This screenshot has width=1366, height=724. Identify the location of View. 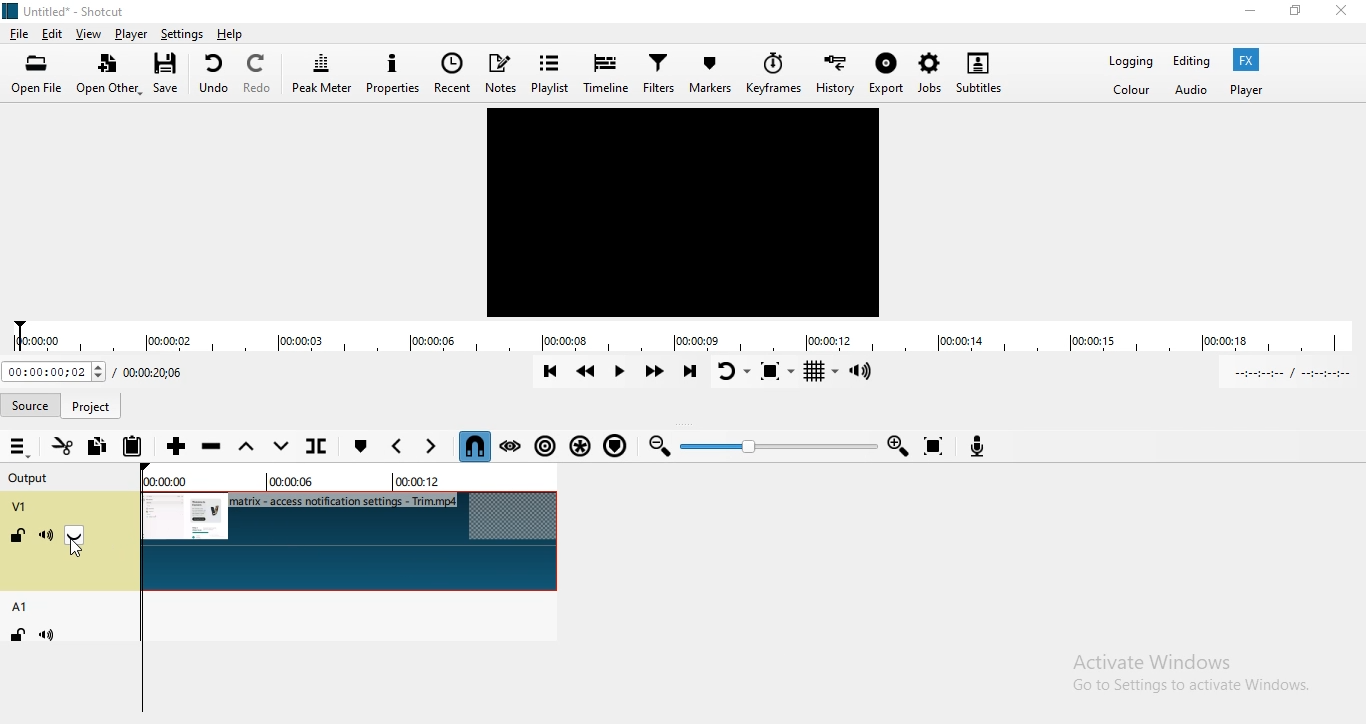
(90, 34).